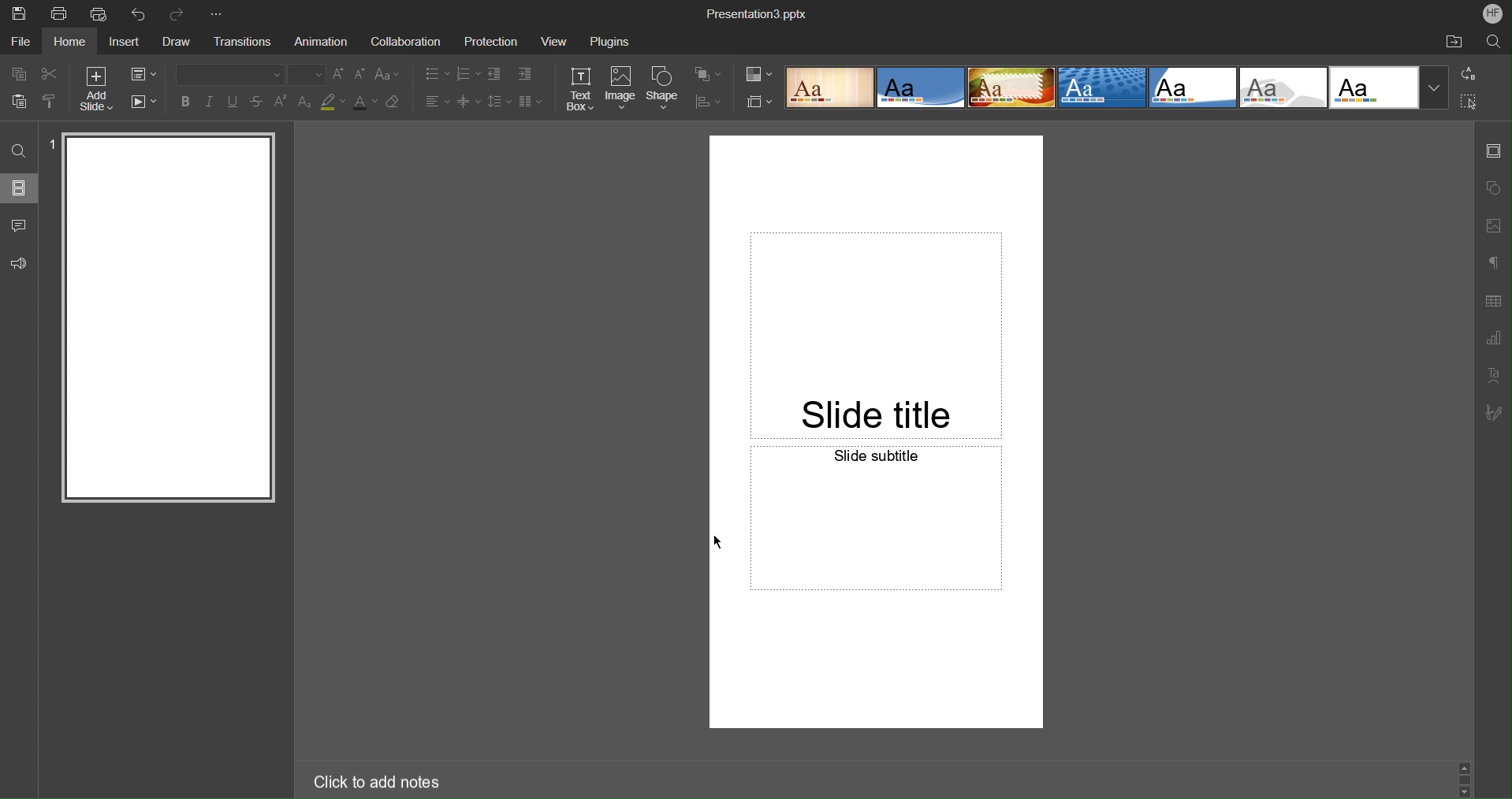 This screenshot has width=1512, height=799. What do you see at coordinates (493, 43) in the screenshot?
I see `Protection` at bounding box center [493, 43].